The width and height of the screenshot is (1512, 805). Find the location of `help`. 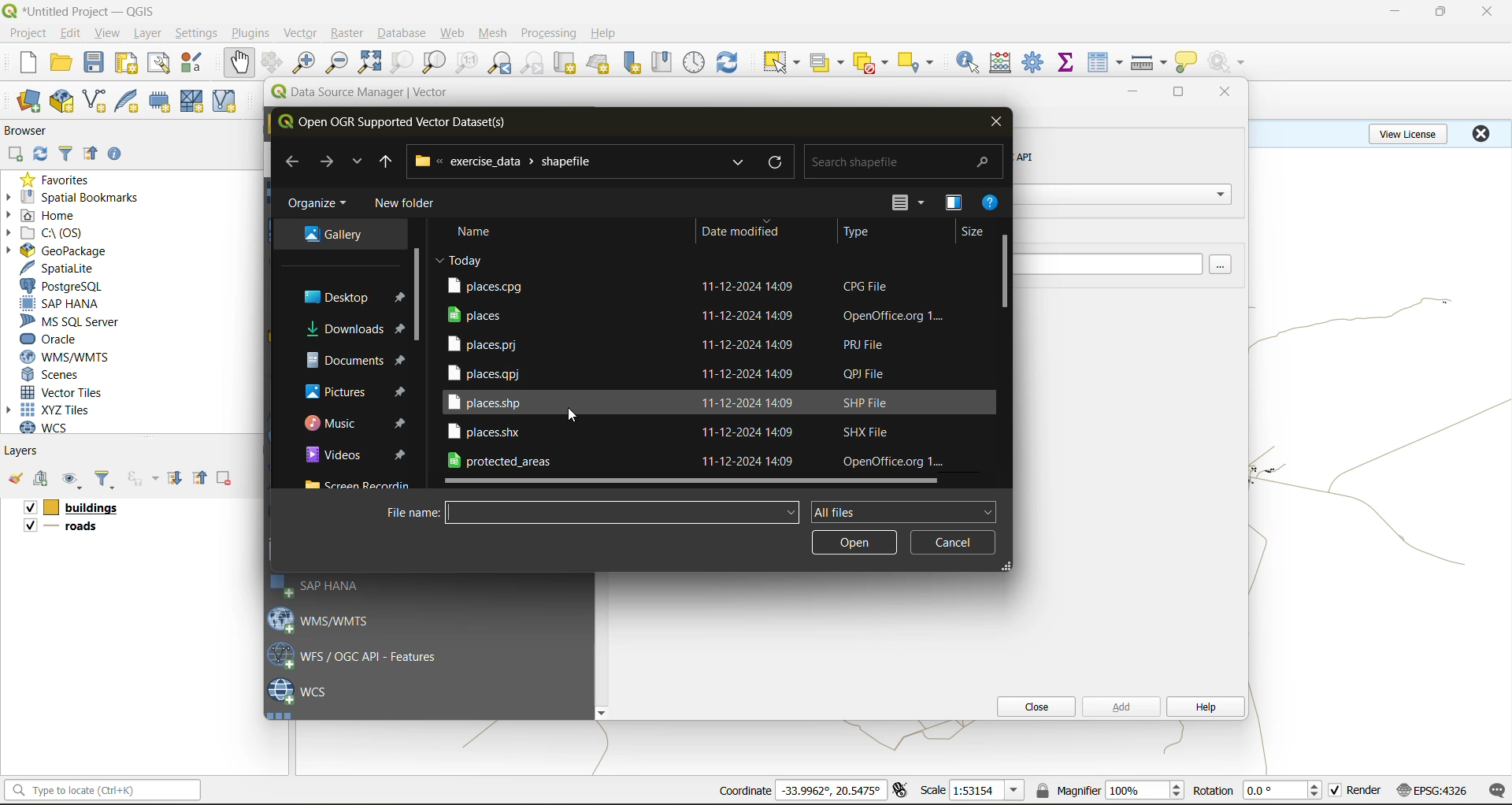

help is located at coordinates (991, 205).